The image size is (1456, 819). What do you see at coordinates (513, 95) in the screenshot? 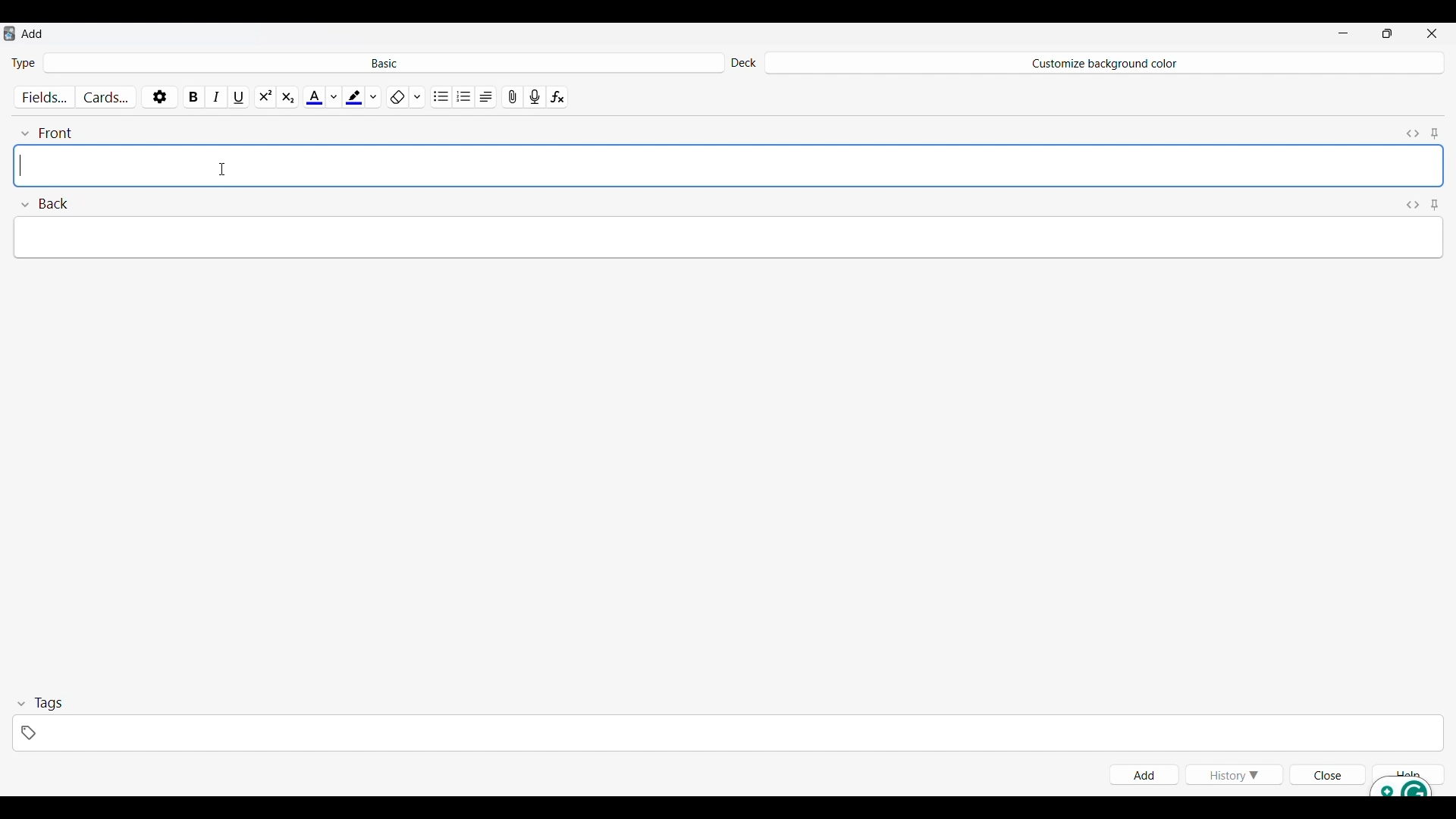
I see `Attach pictures/audio/video` at bounding box center [513, 95].